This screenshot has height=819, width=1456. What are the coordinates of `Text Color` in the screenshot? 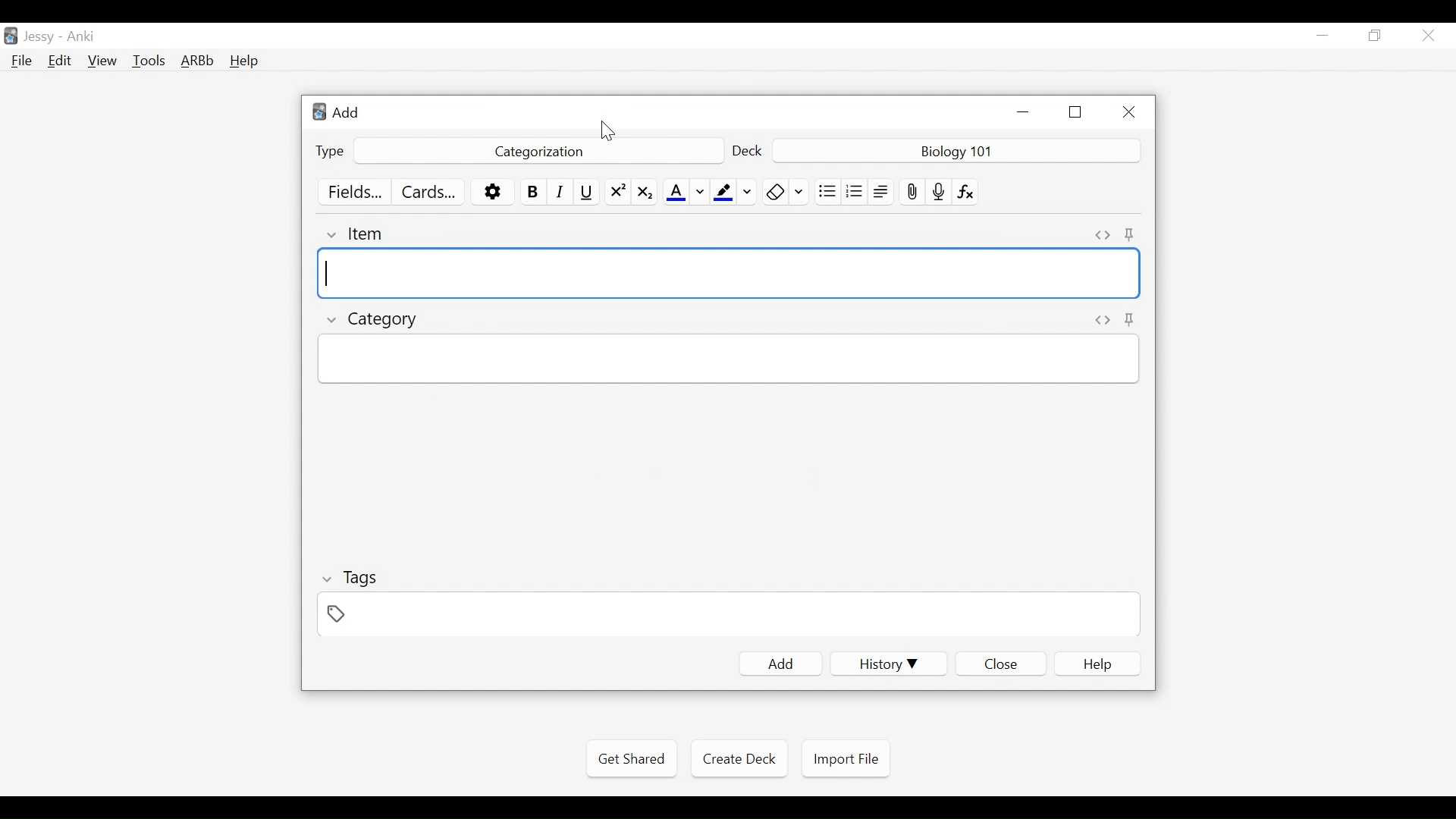 It's located at (686, 192).